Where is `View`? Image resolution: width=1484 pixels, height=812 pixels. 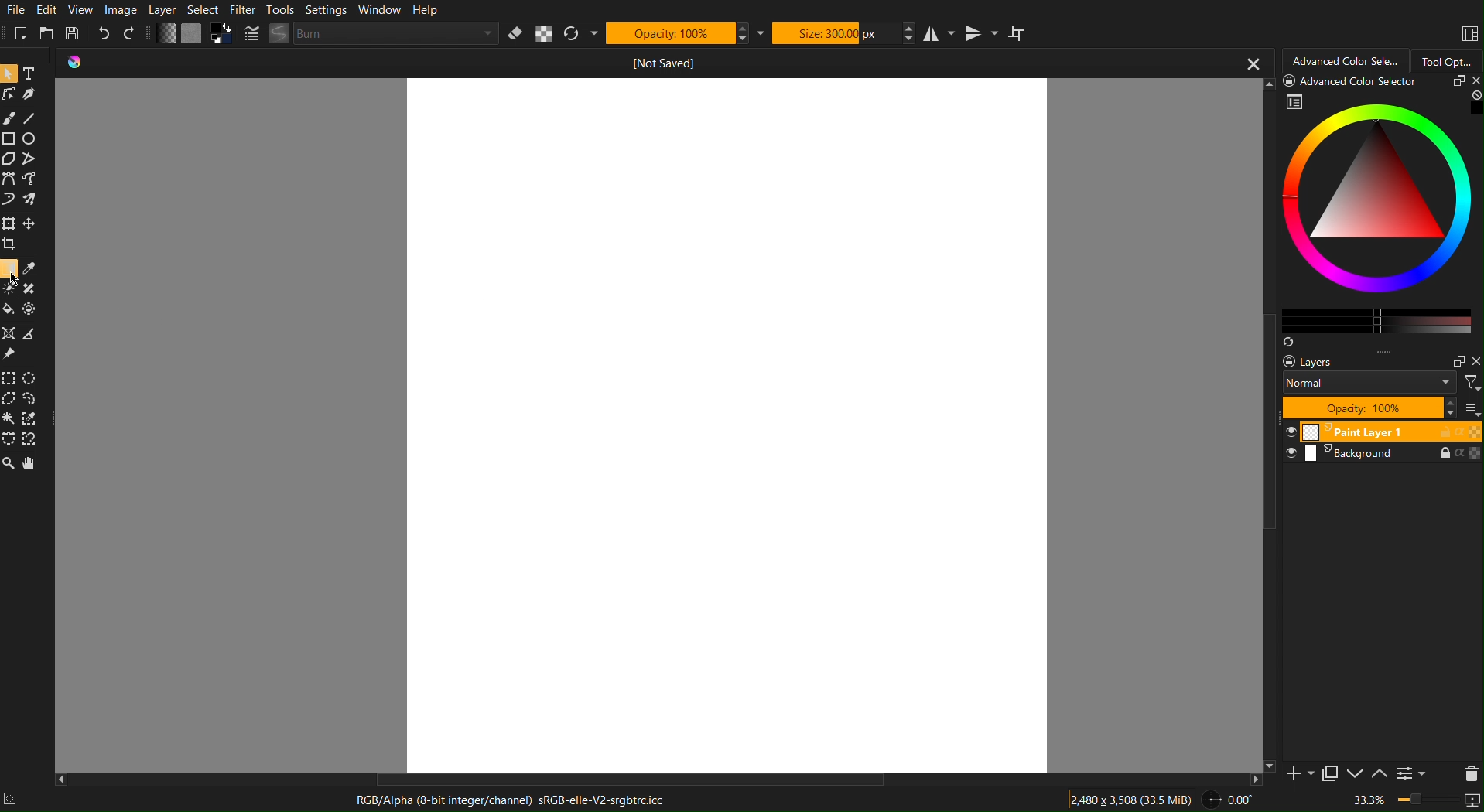
View is located at coordinates (82, 10).